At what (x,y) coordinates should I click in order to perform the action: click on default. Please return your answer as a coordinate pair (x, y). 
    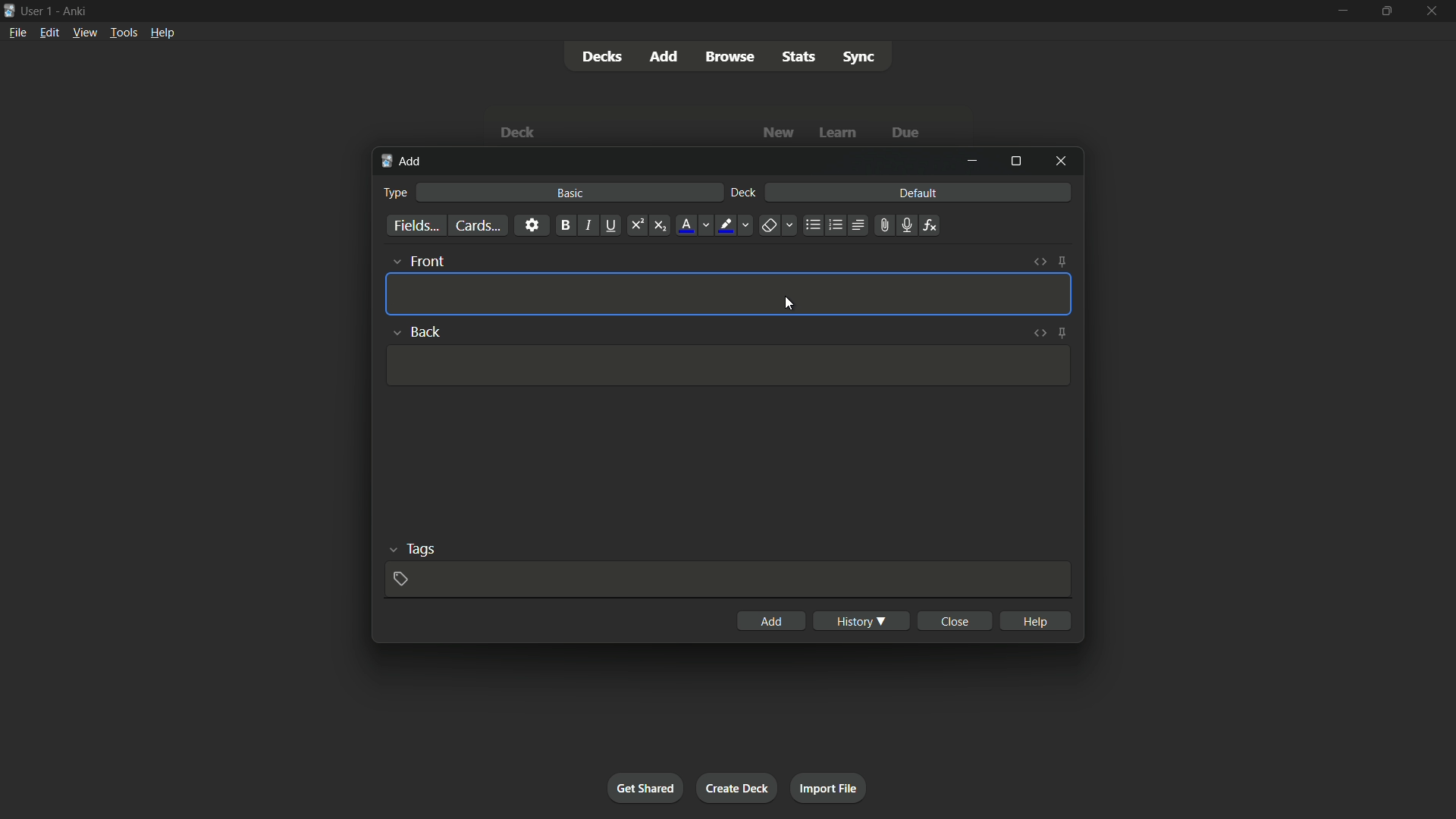
    Looking at the image, I should click on (918, 192).